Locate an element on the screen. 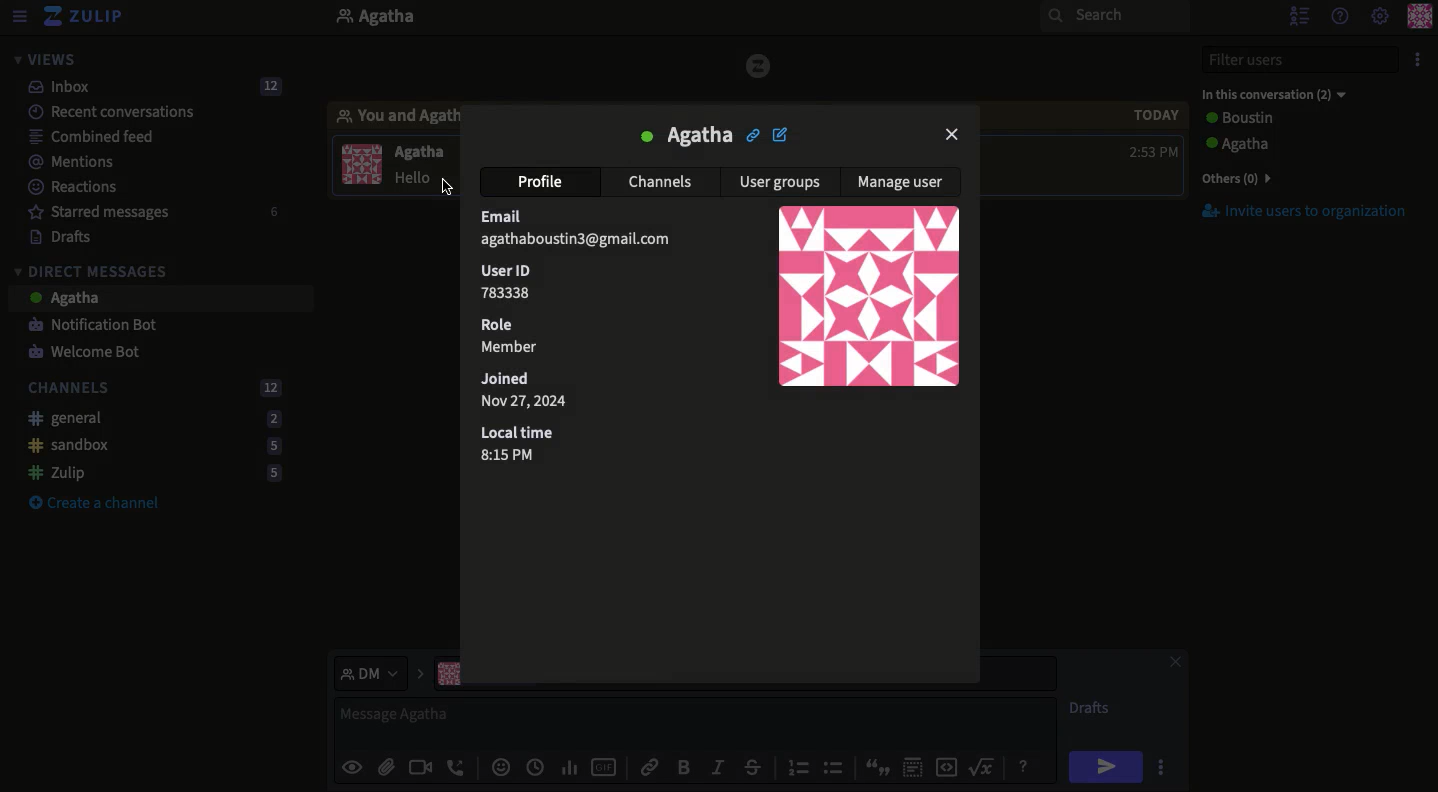  Bullet is located at coordinates (836, 767).